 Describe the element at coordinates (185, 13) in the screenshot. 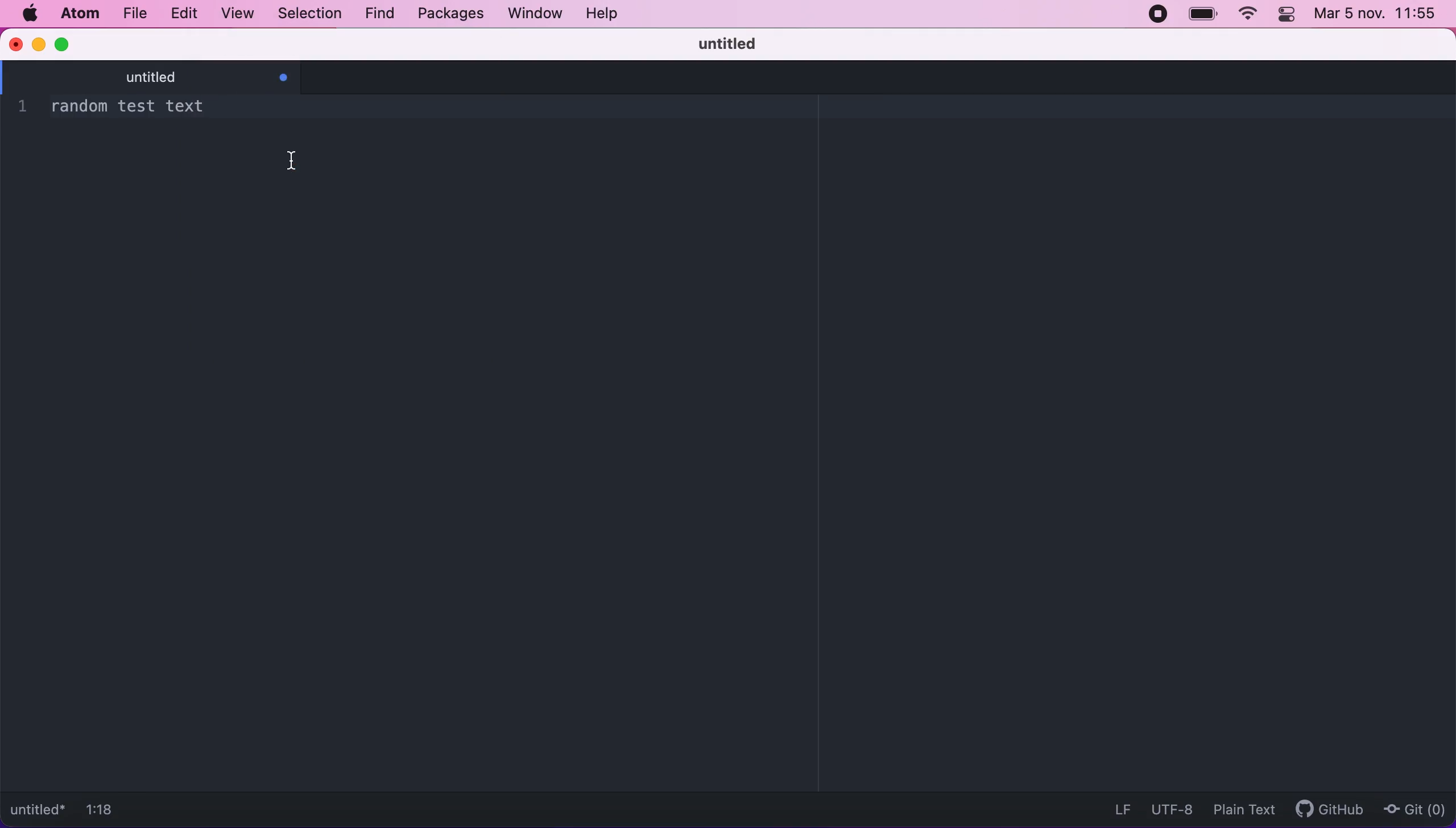

I see `edit` at that location.